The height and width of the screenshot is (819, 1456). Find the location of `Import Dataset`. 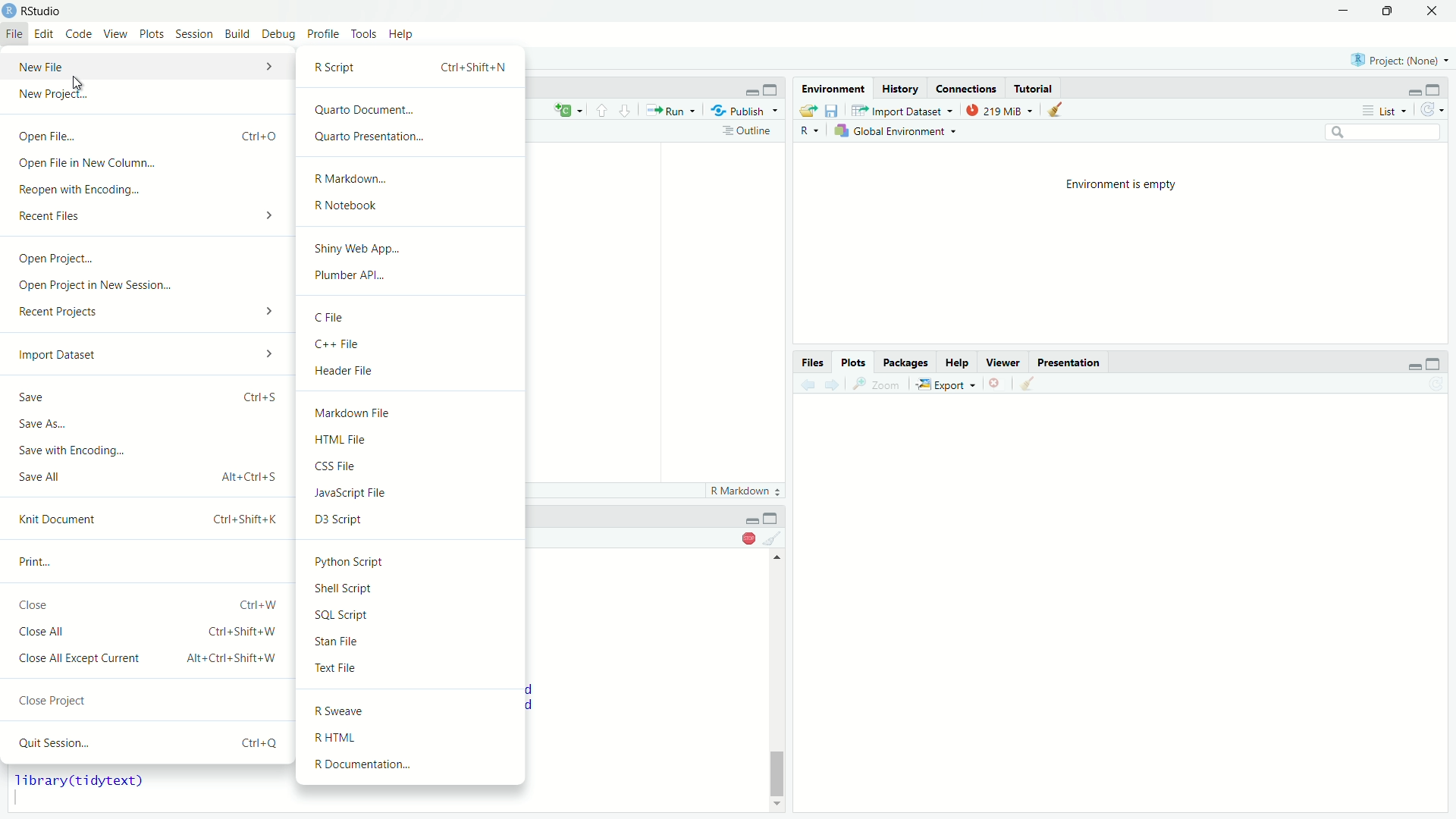

Import Dataset is located at coordinates (146, 354).